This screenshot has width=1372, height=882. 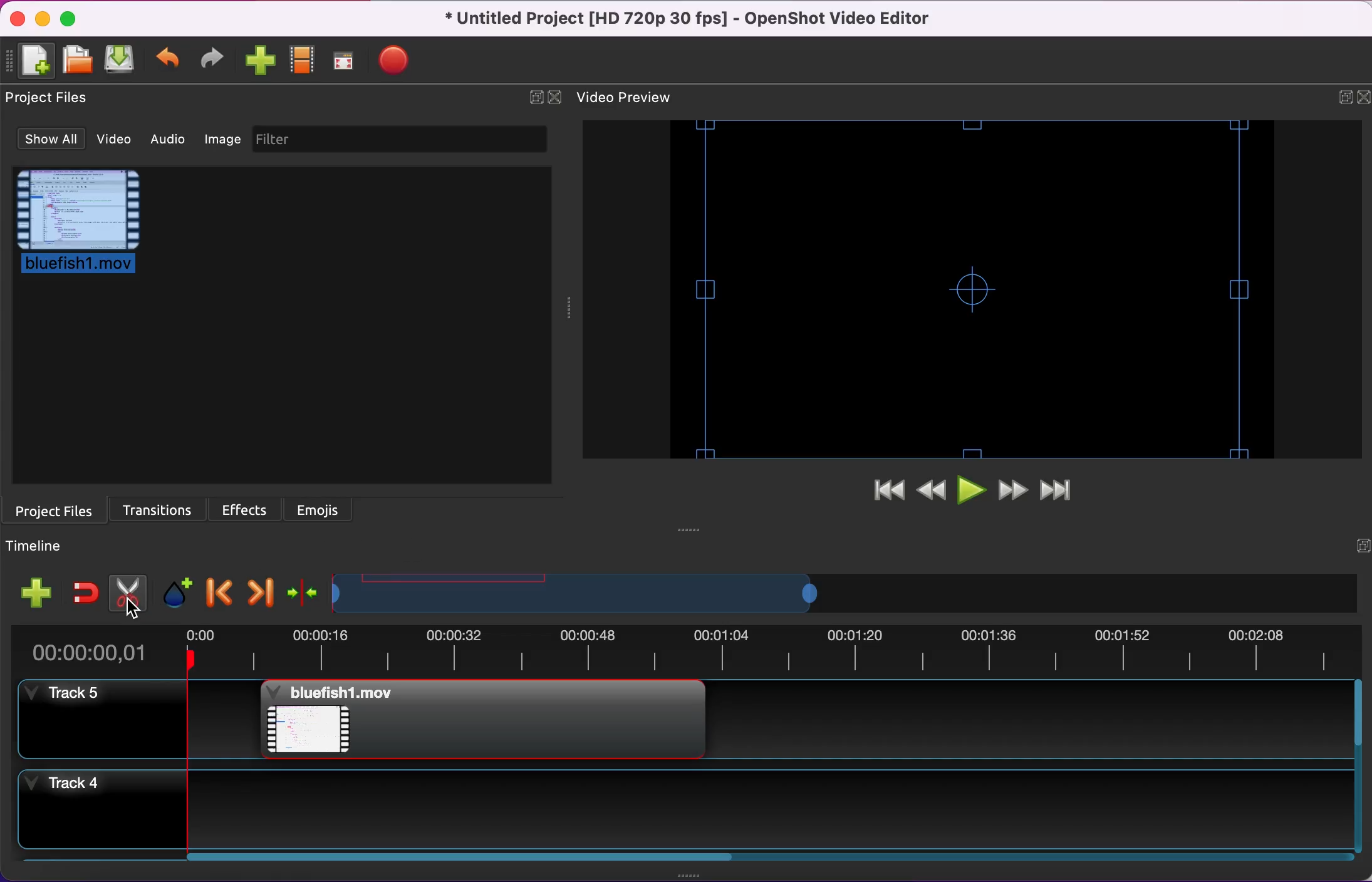 I want to click on emojis, so click(x=328, y=509).